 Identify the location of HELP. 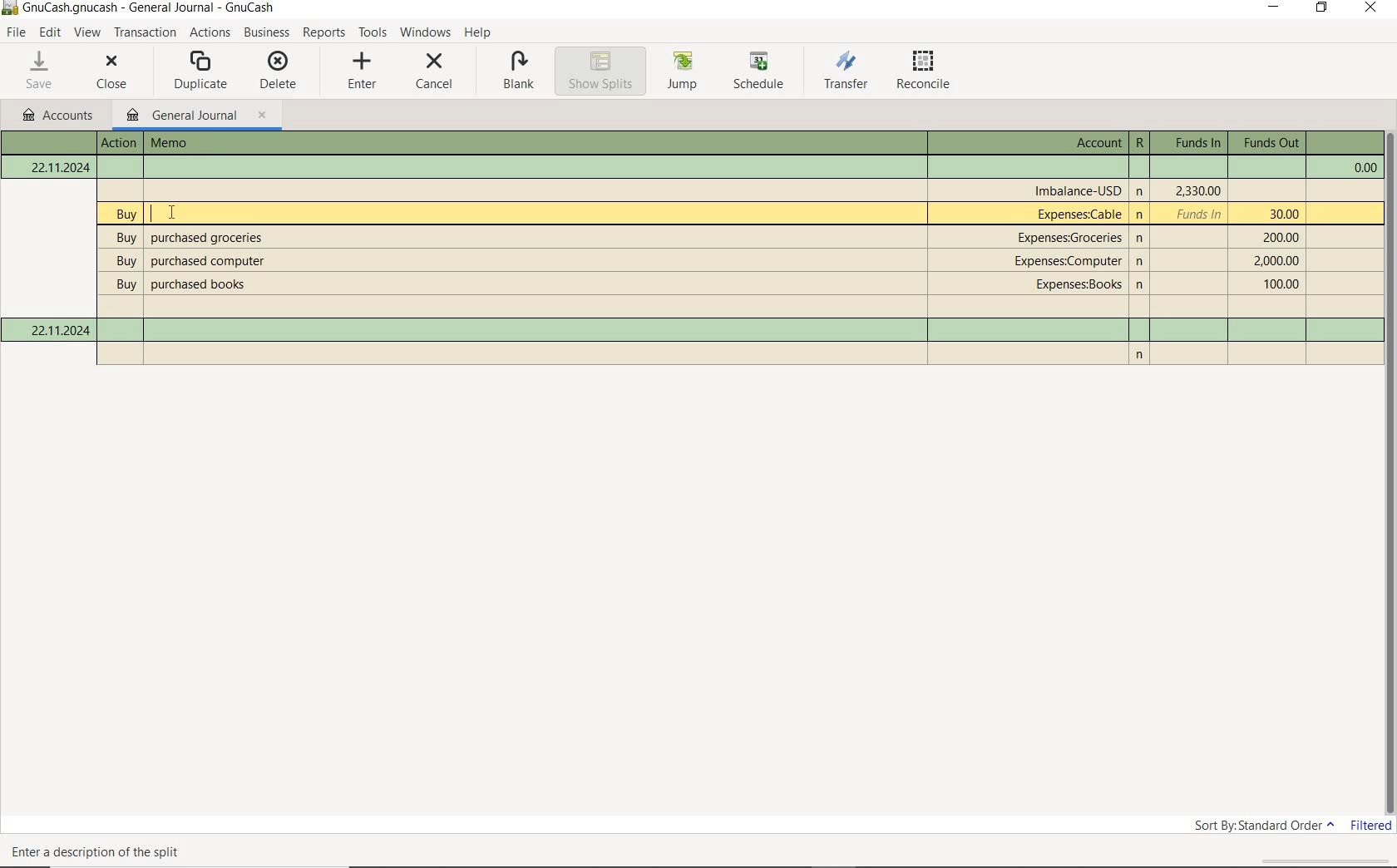
(479, 33).